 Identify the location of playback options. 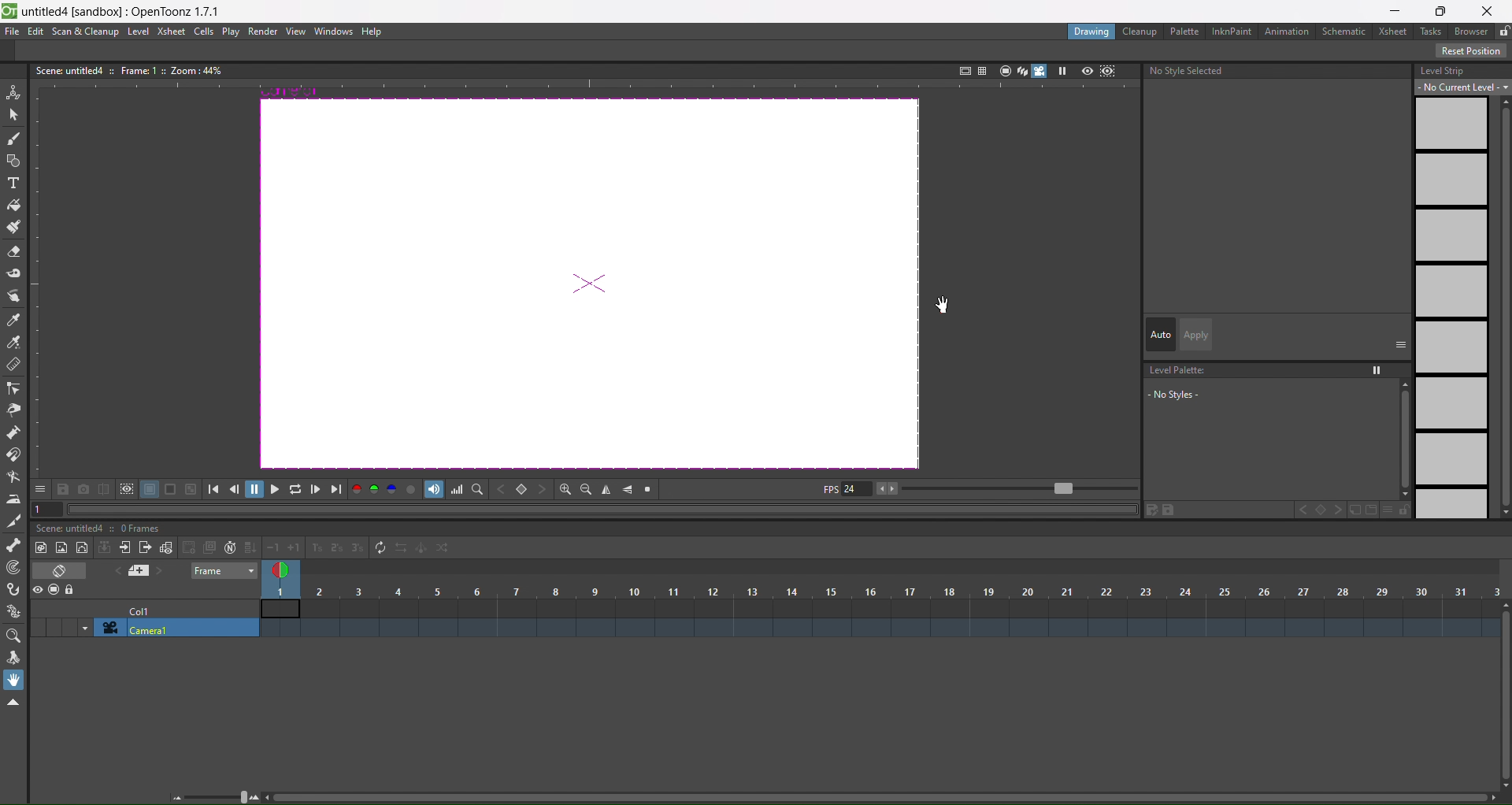
(276, 492).